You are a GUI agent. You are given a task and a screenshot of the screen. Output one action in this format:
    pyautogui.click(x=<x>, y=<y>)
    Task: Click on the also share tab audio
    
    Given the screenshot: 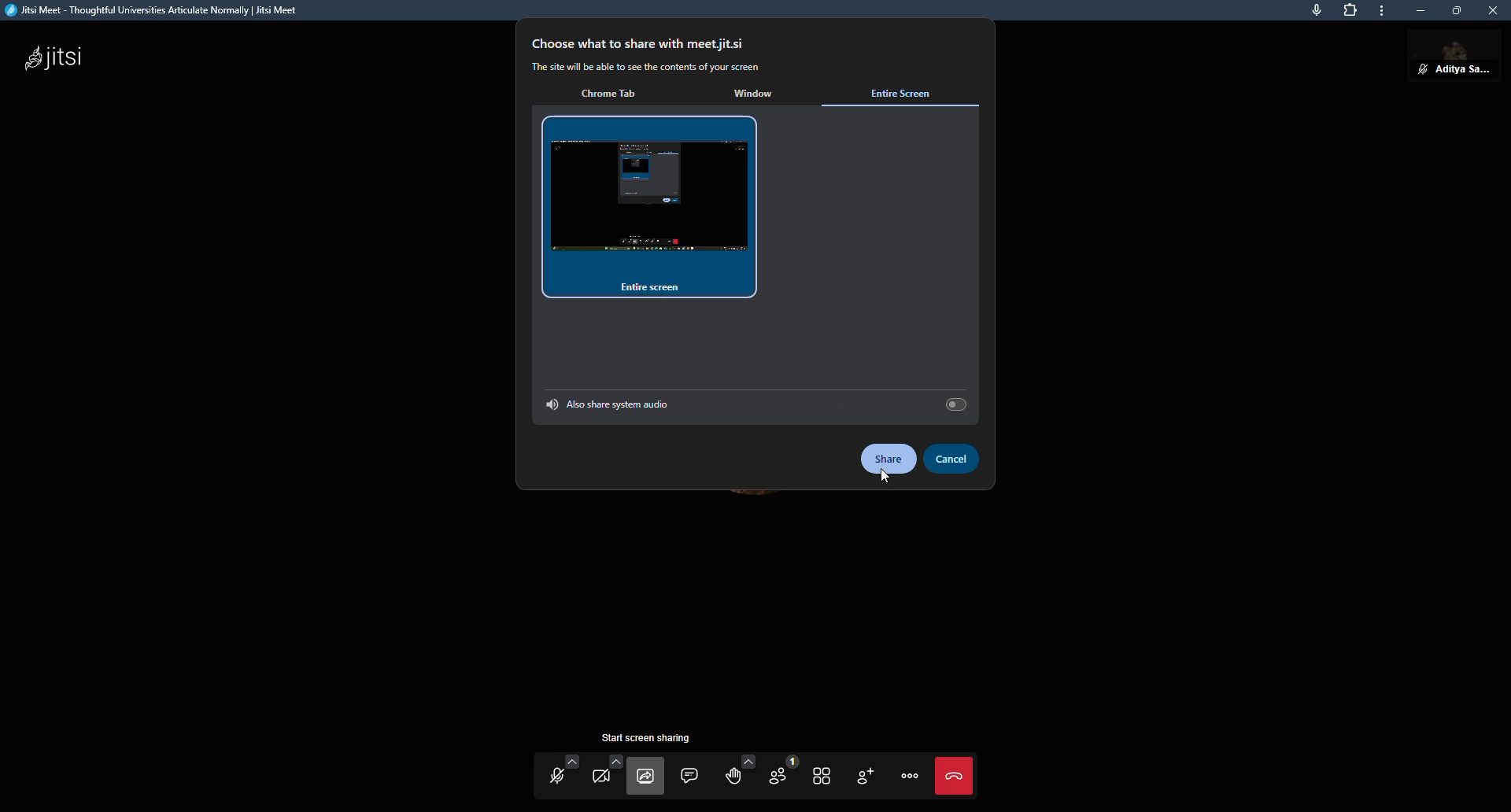 What is the action you would take?
    pyautogui.click(x=608, y=403)
    